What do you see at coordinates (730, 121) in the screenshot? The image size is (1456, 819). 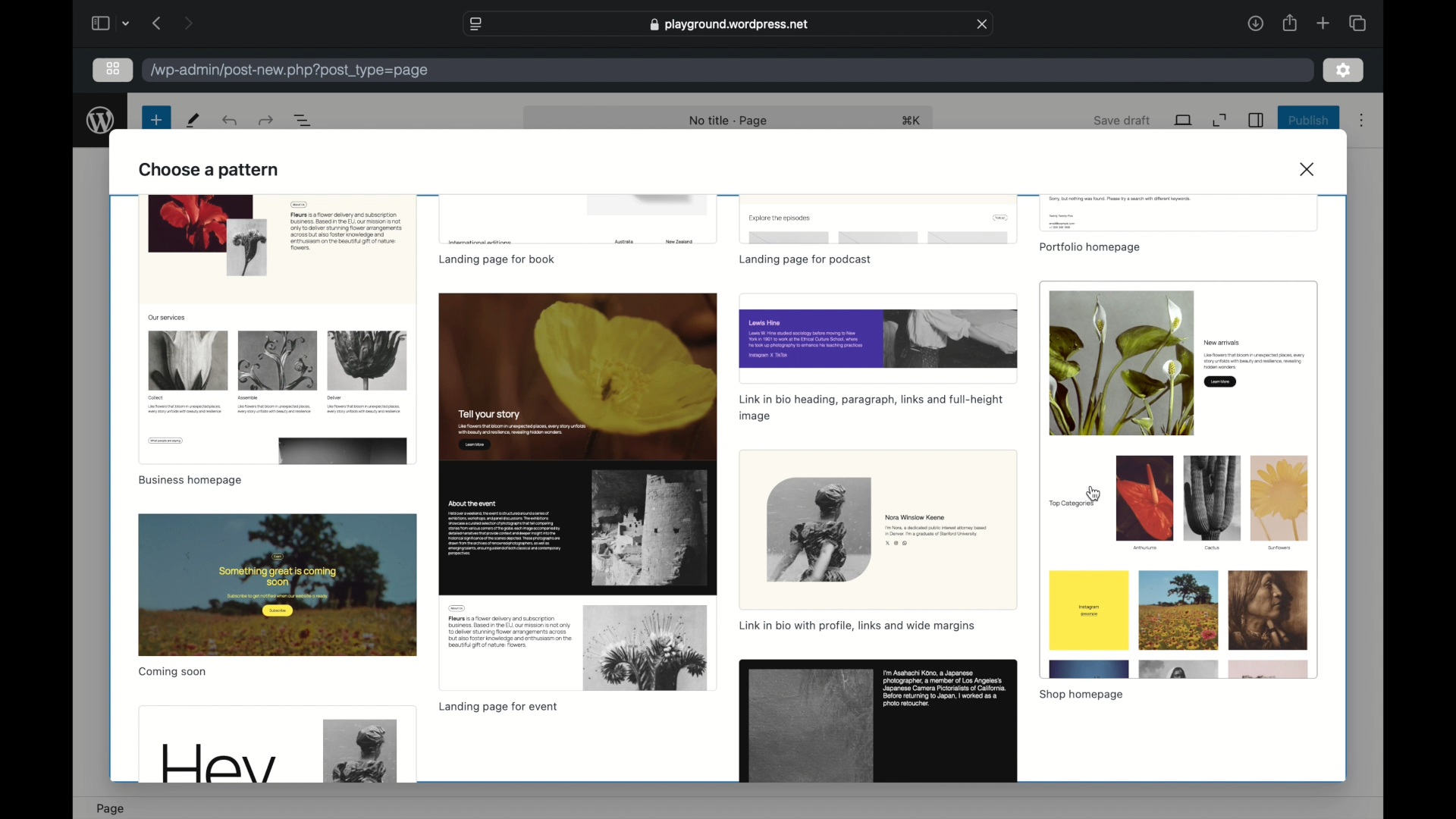 I see `nob title - page` at bounding box center [730, 121].